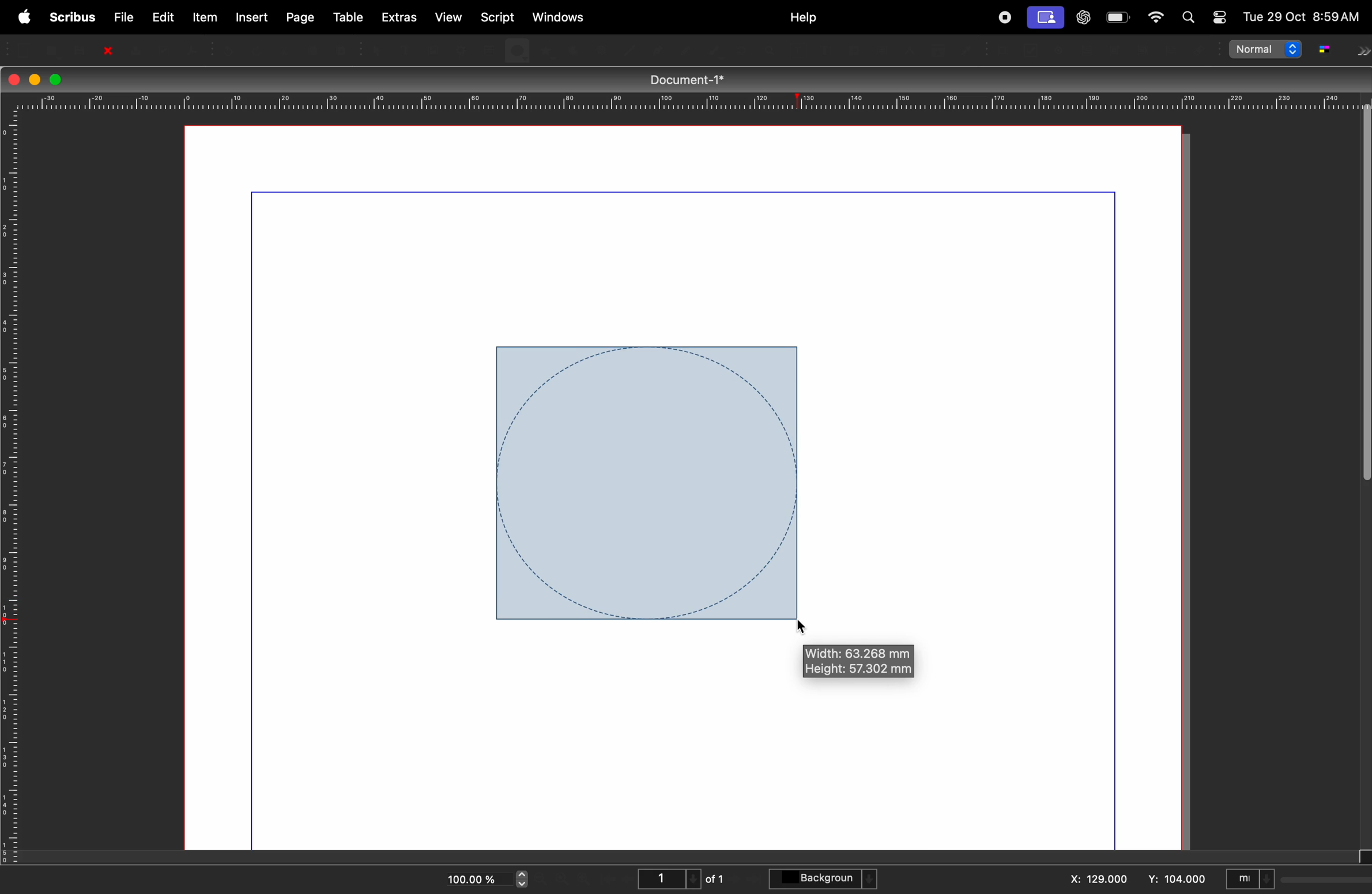  I want to click on PDF checkbox, so click(1033, 50).